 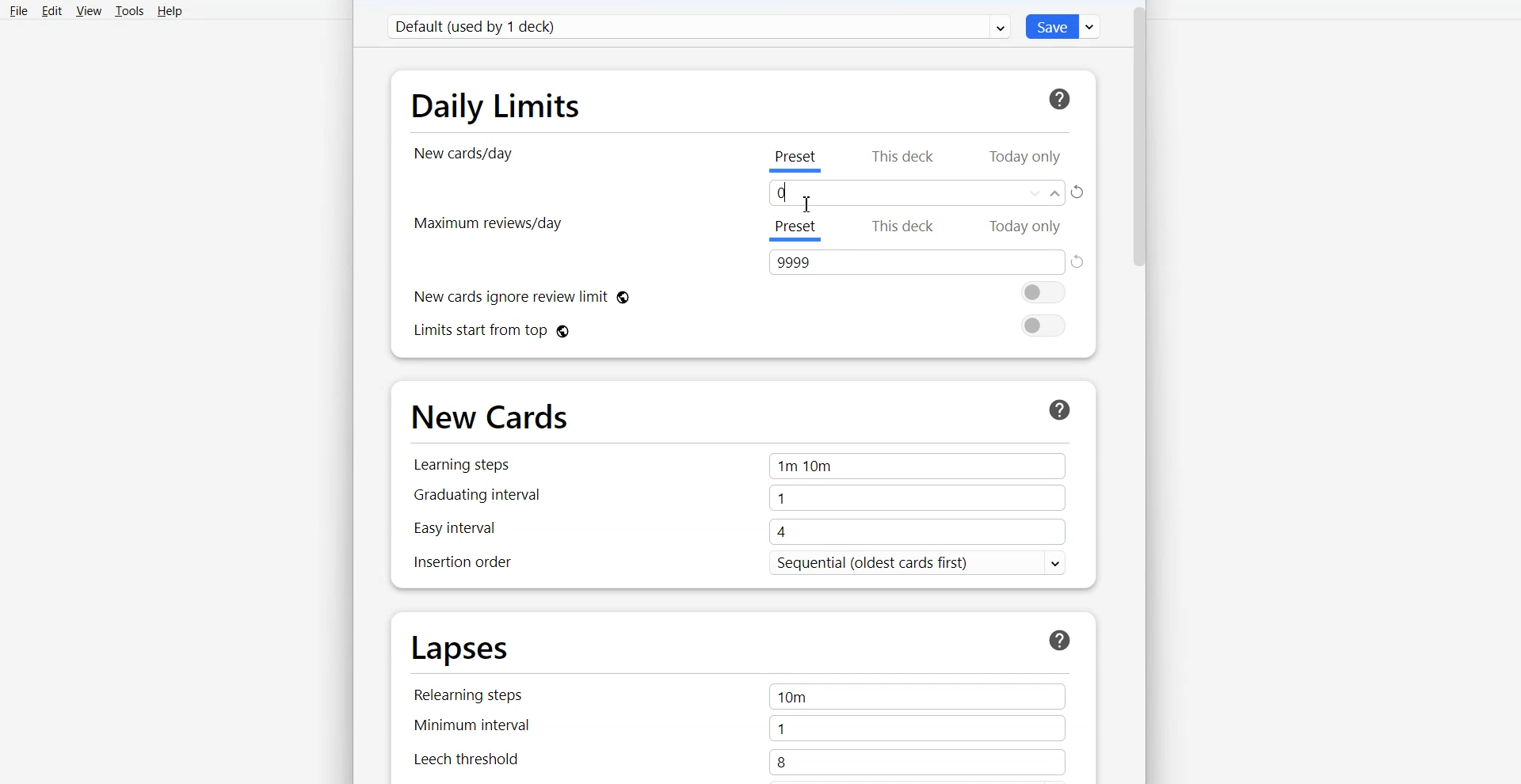 What do you see at coordinates (88, 11) in the screenshot?
I see `View` at bounding box center [88, 11].